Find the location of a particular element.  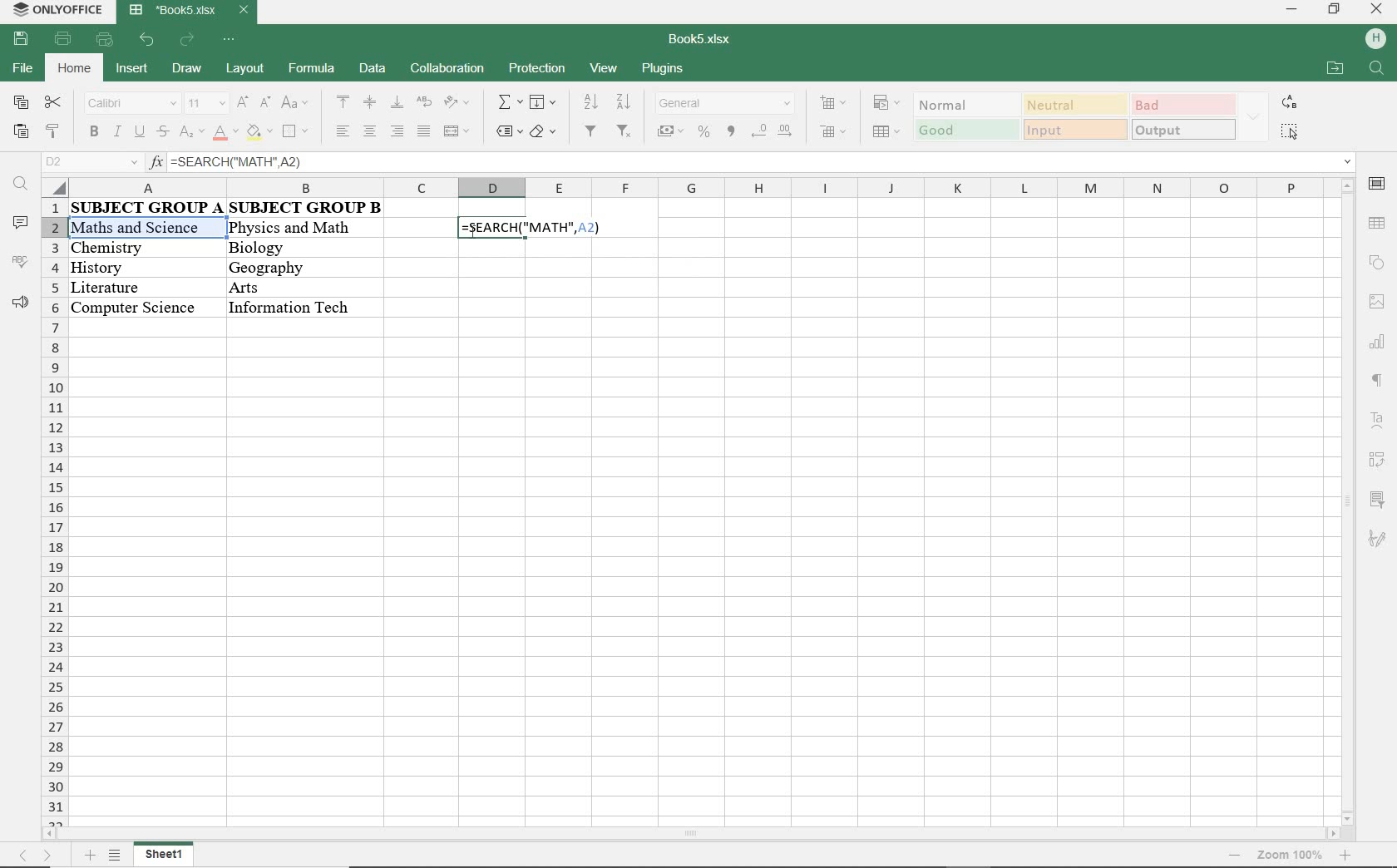

sign is located at coordinates (1381, 502).